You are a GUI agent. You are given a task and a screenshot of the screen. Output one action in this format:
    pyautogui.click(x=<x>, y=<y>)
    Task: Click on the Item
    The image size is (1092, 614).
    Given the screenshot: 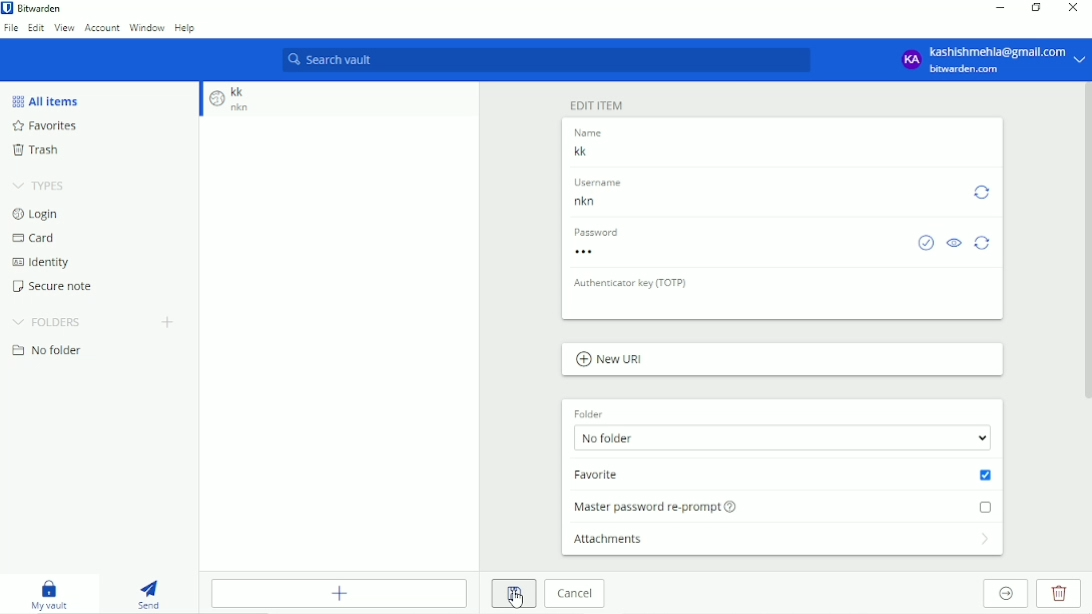 What is the action you would take?
    pyautogui.click(x=230, y=101)
    